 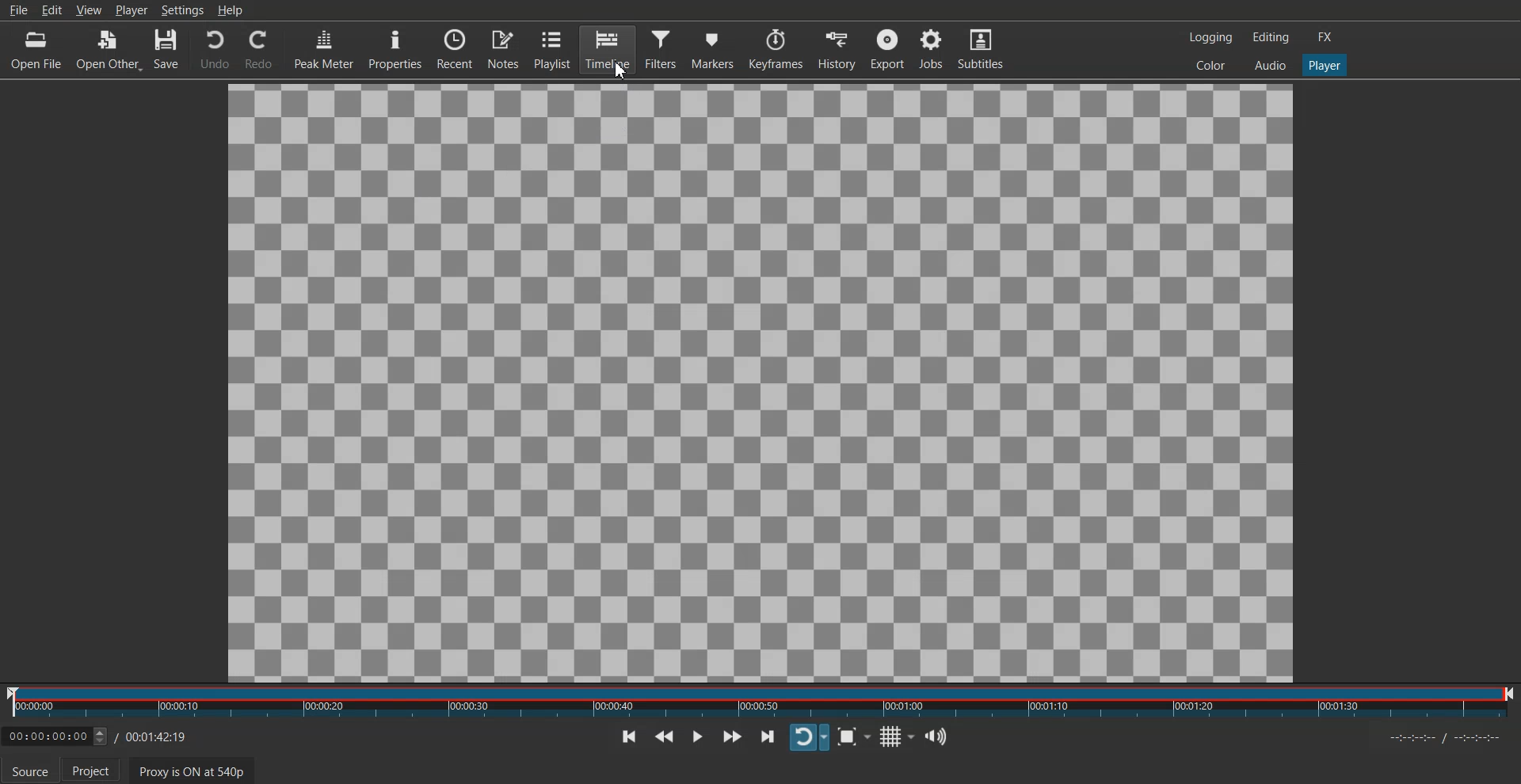 What do you see at coordinates (109, 51) in the screenshot?
I see `Open Other` at bounding box center [109, 51].